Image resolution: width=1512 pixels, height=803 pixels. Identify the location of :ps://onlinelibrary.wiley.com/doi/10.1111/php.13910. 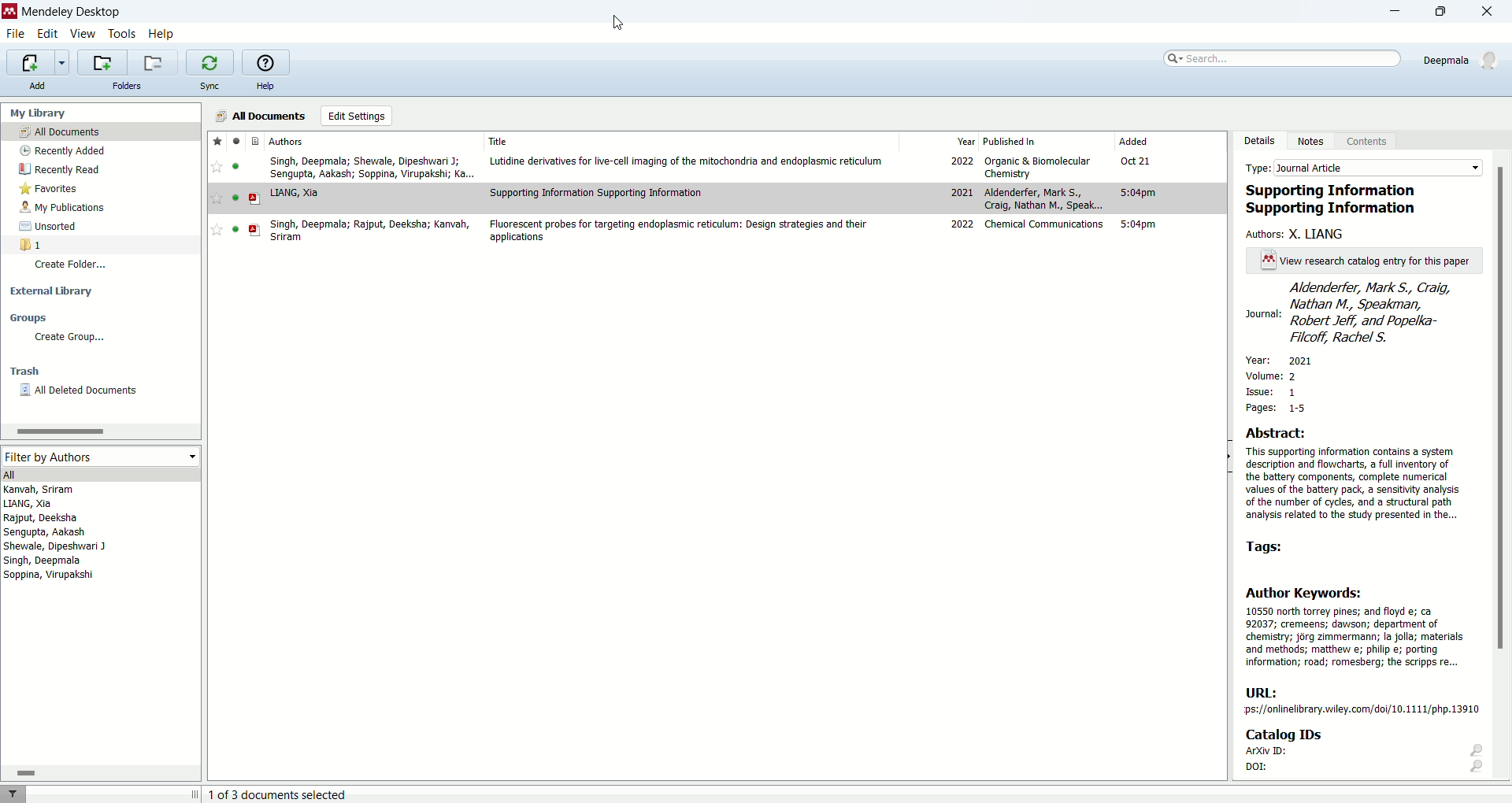
(1361, 710).